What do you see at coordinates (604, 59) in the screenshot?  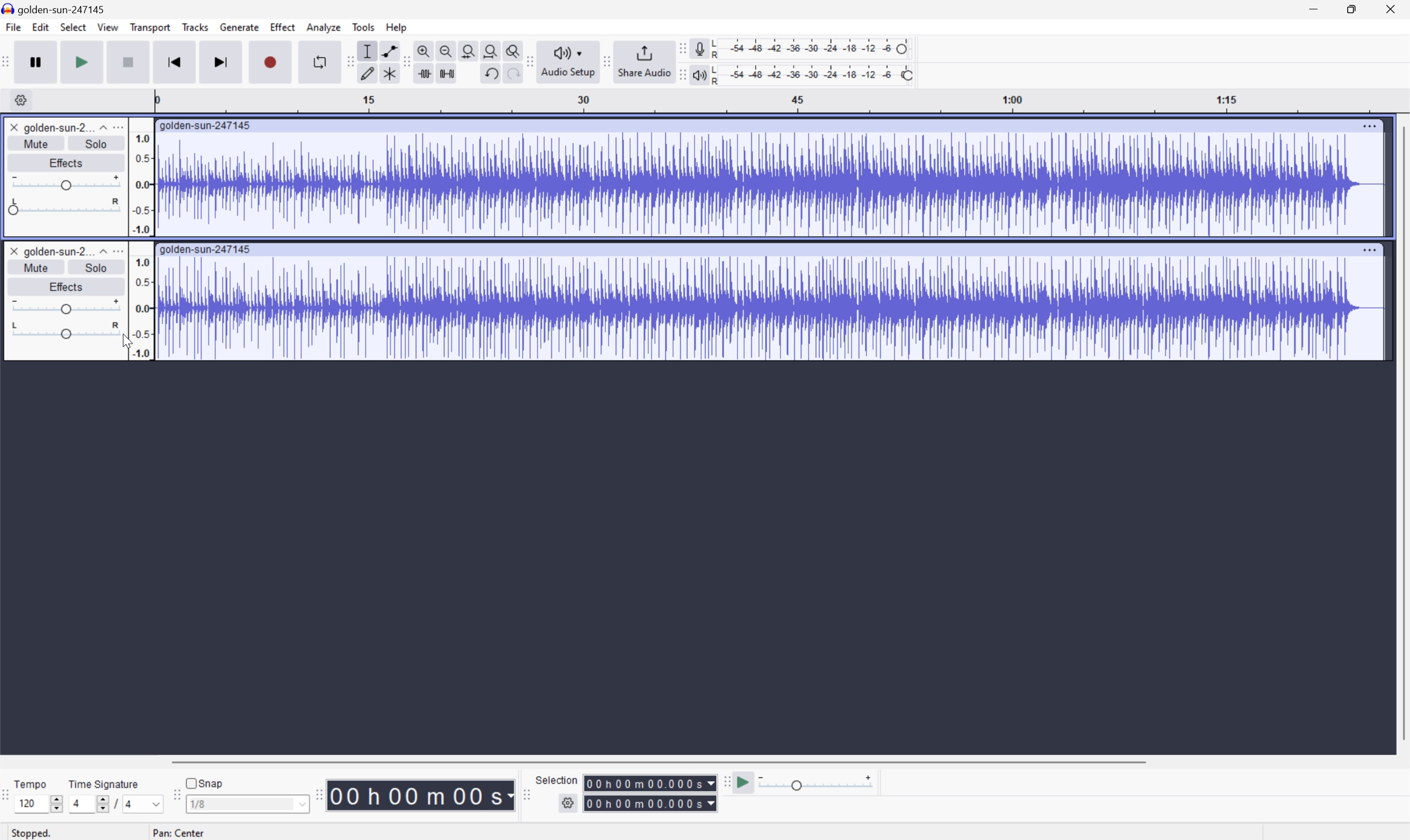 I see `Audacity Share audio toolbar` at bounding box center [604, 59].